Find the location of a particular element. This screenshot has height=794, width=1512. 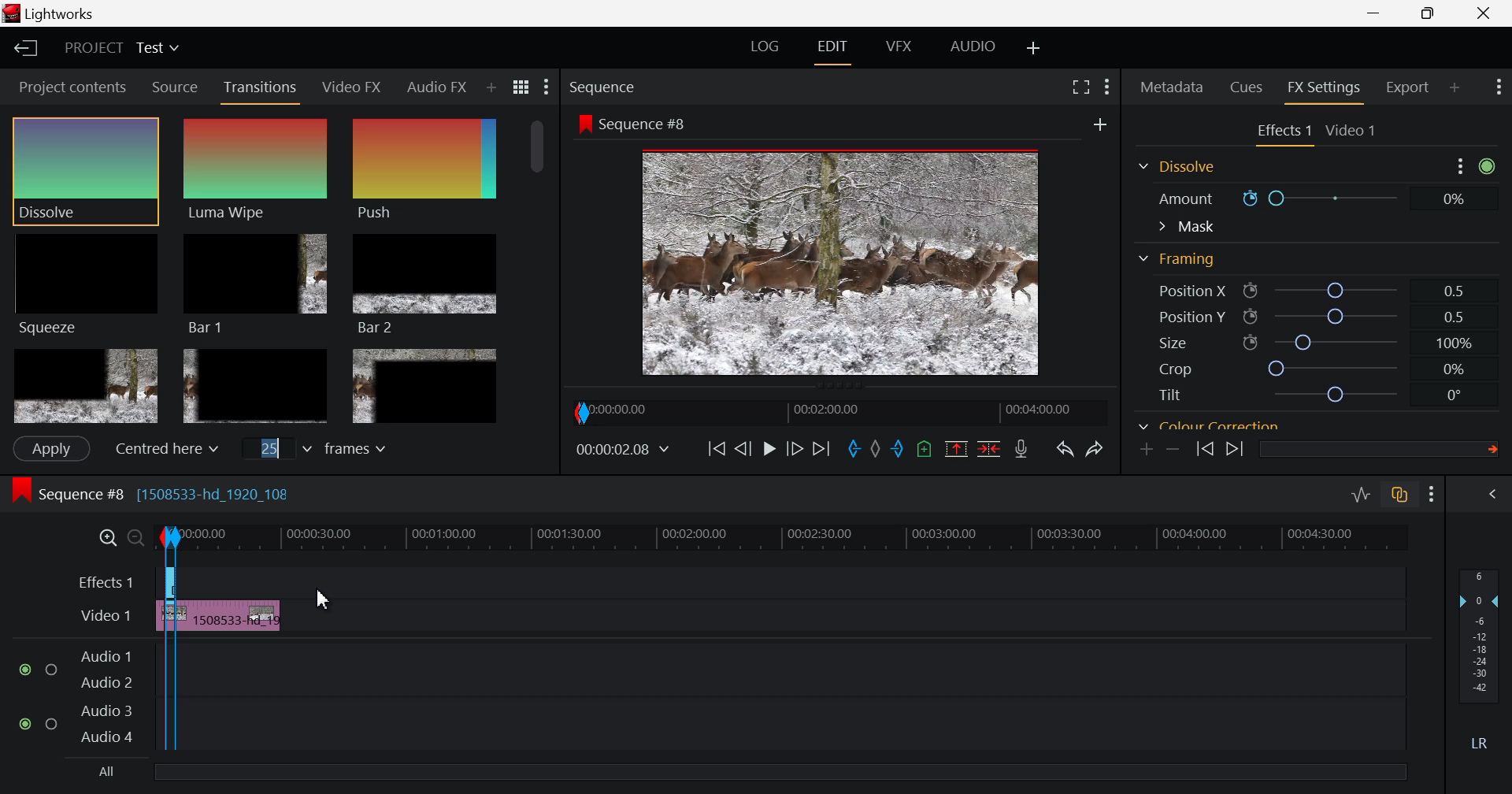

Sequence #8 [1508533-hd_1920_10 is located at coordinates (156, 492).